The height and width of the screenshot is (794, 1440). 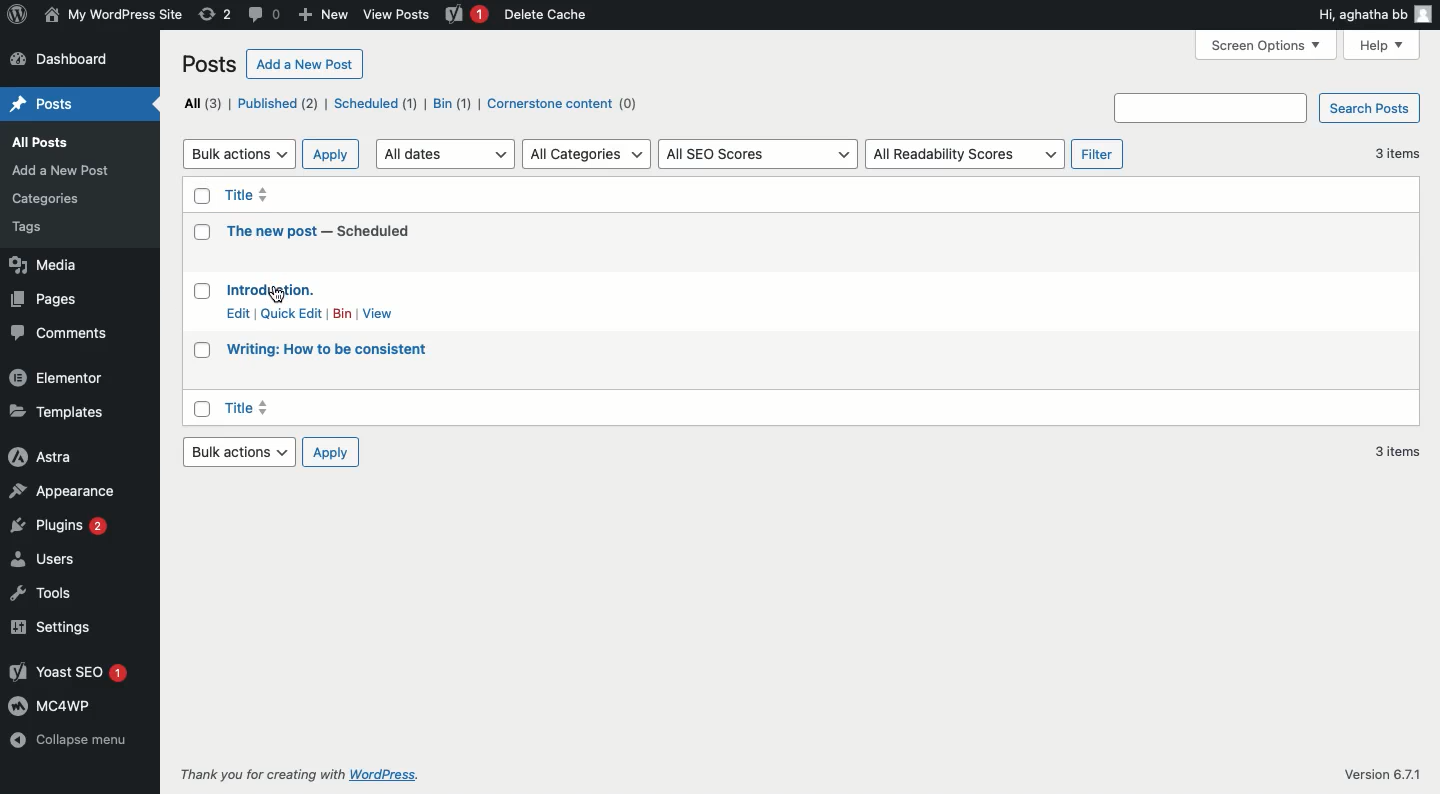 I want to click on Version 6.71, so click(x=1372, y=771).